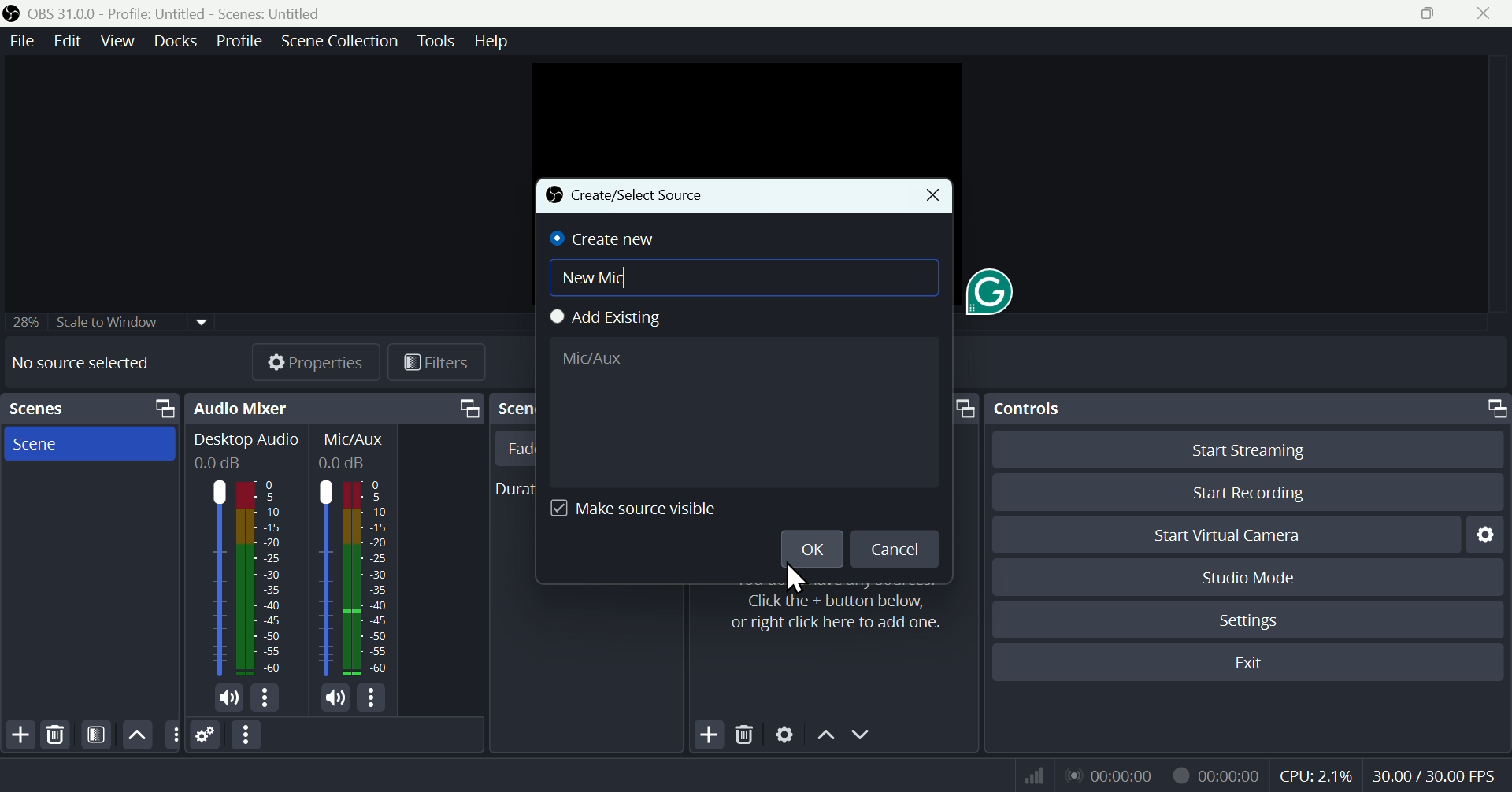 The width and height of the screenshot is (1512, 792). Describe the element at coordinates (1432, 13) in the screenshot. I see `Restore` at that location.